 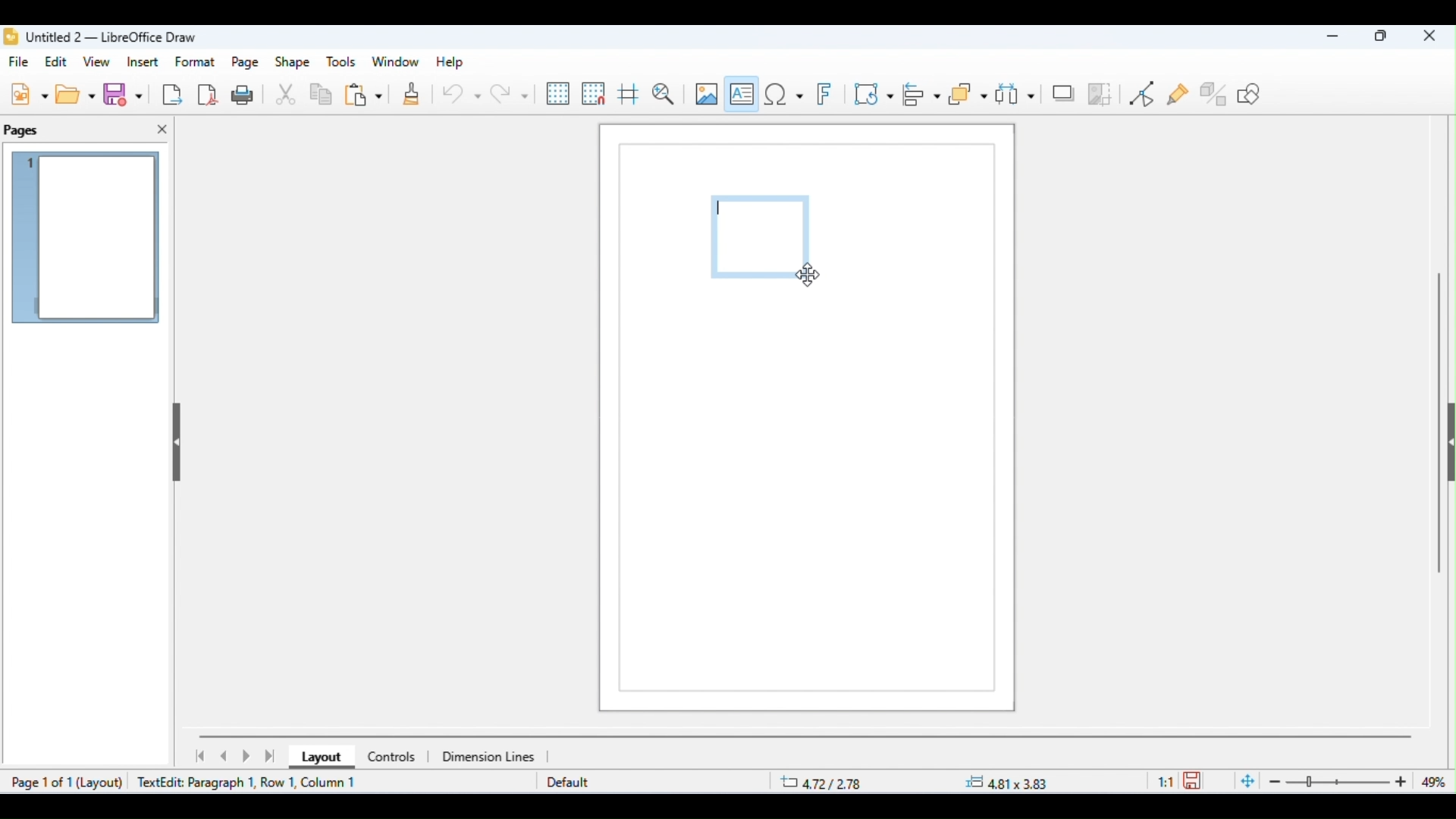 What do you see at coordinates (1063, 92) in the screenshot?
I see `shadow` at bounding box center [1063, 92].